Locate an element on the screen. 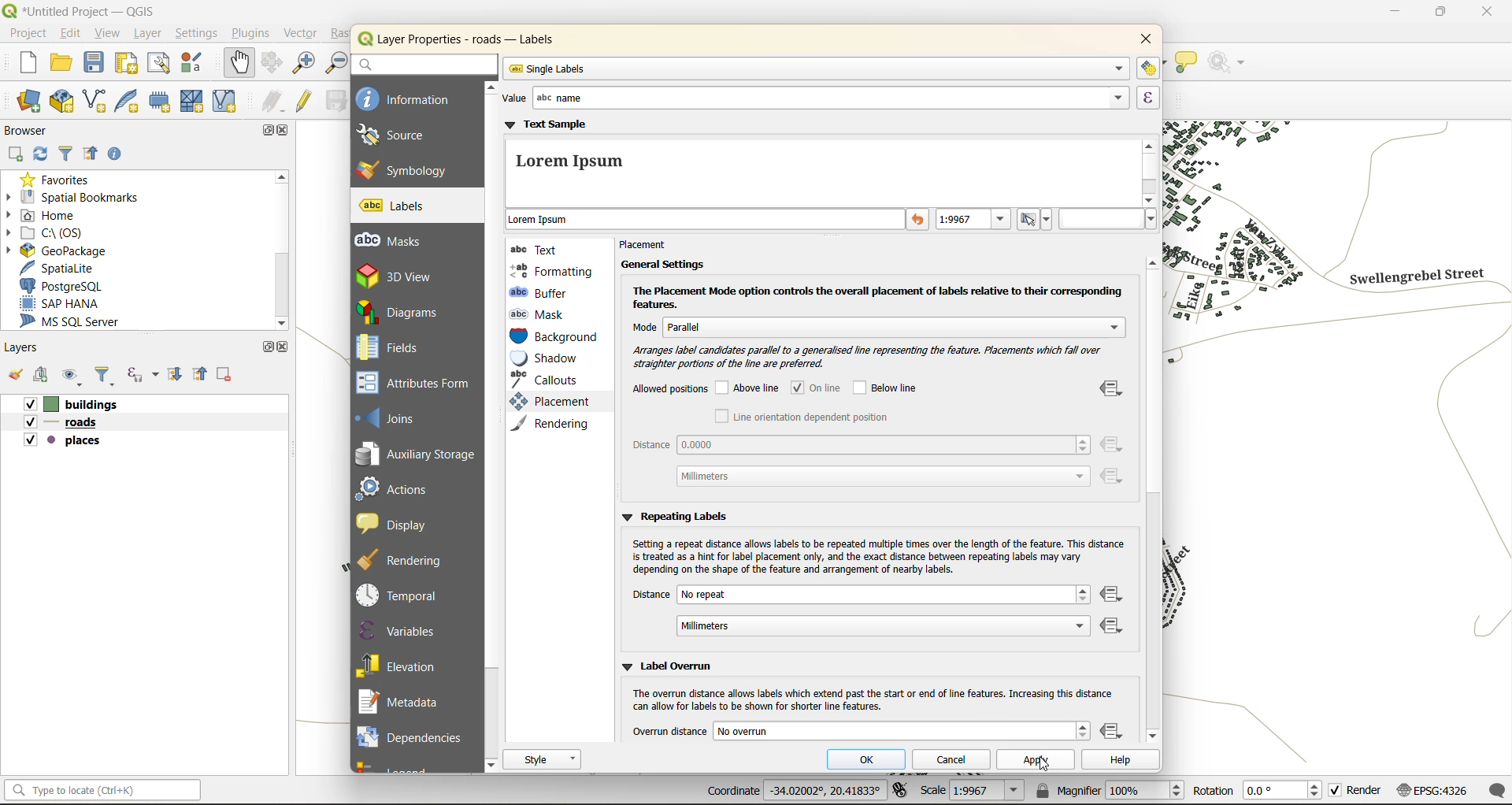 The height and width of the screenshot is (805, 1512). toggle extents is located at coordinates (900, 788).